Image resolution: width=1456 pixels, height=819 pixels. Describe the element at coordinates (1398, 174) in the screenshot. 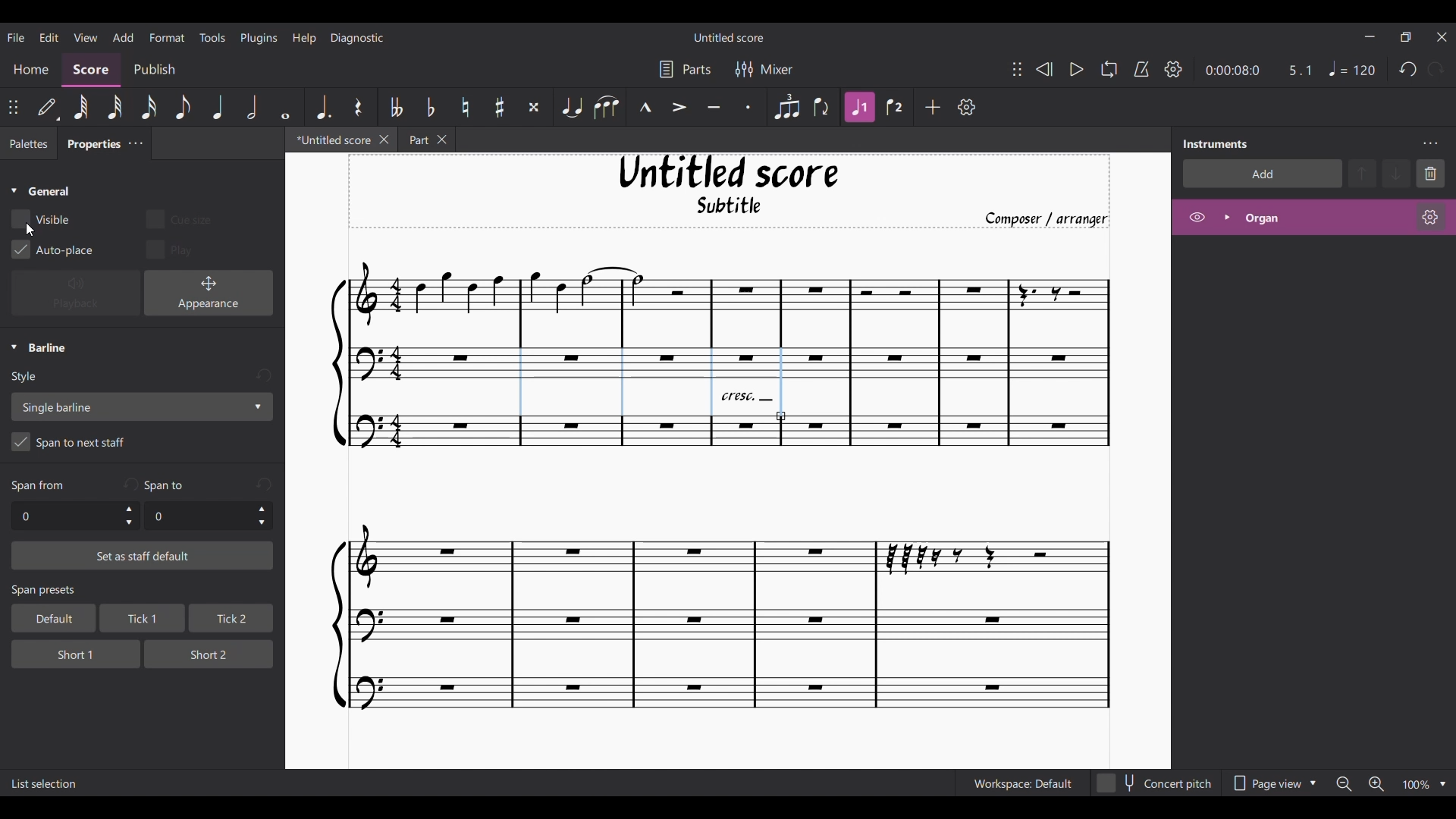

I see `Move selection down` at that location.